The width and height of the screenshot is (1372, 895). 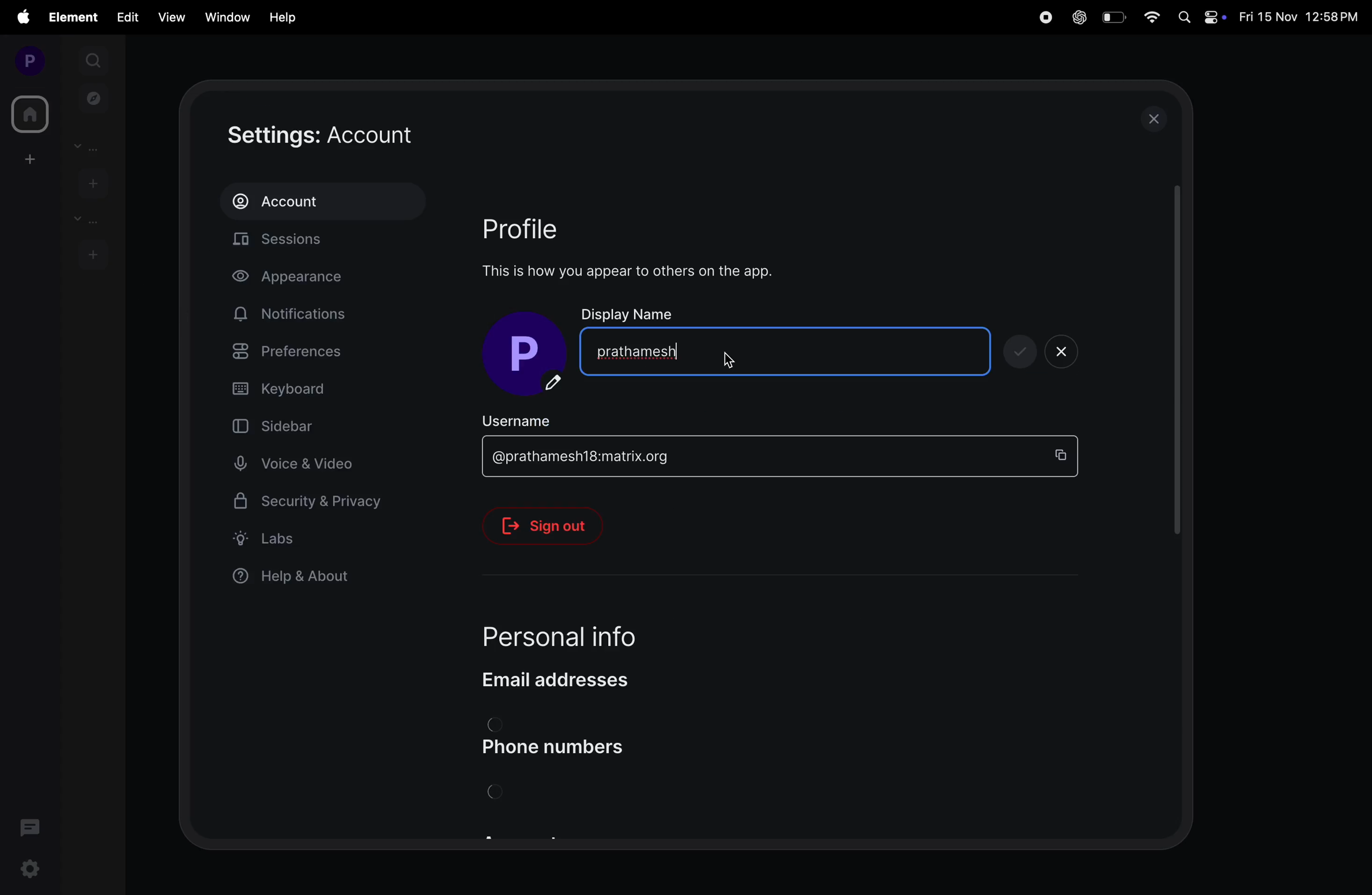 What do you see at coordinates (298, 578) in the screenshot?
I see `help and anout` at bounding box center [298, 578].